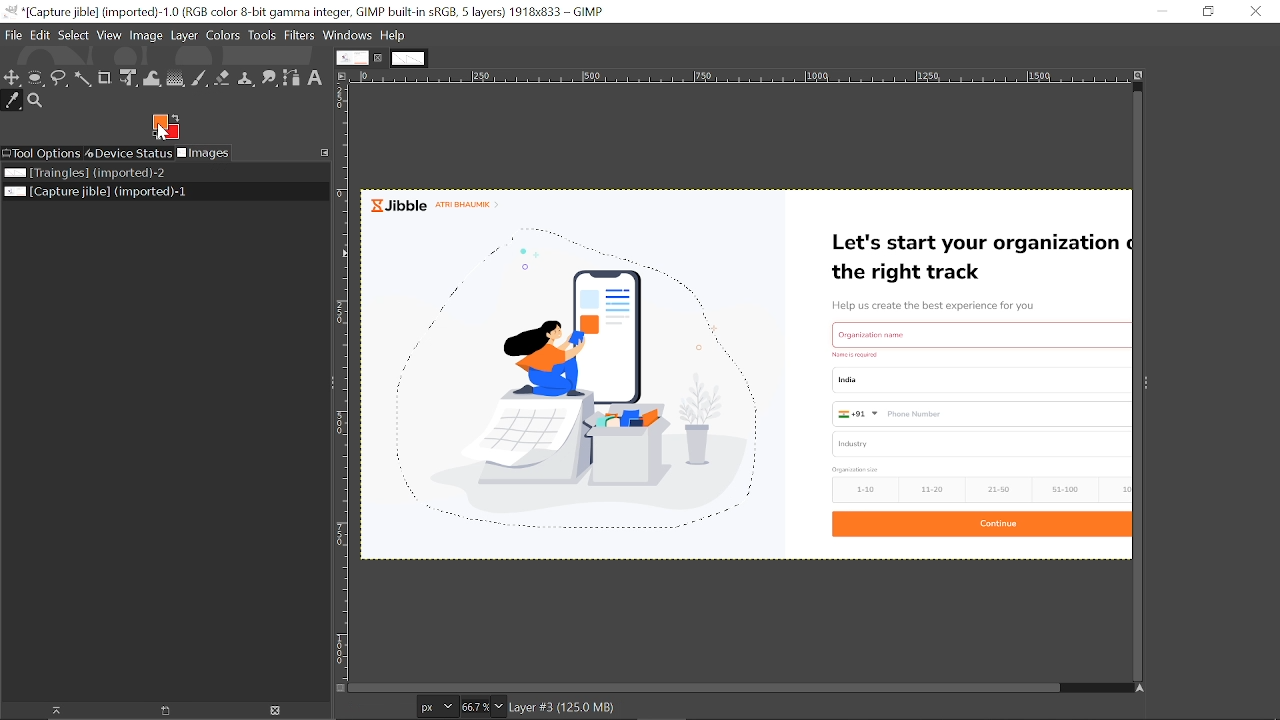  I want to click on fuzzy select tool, so click(82, 78).